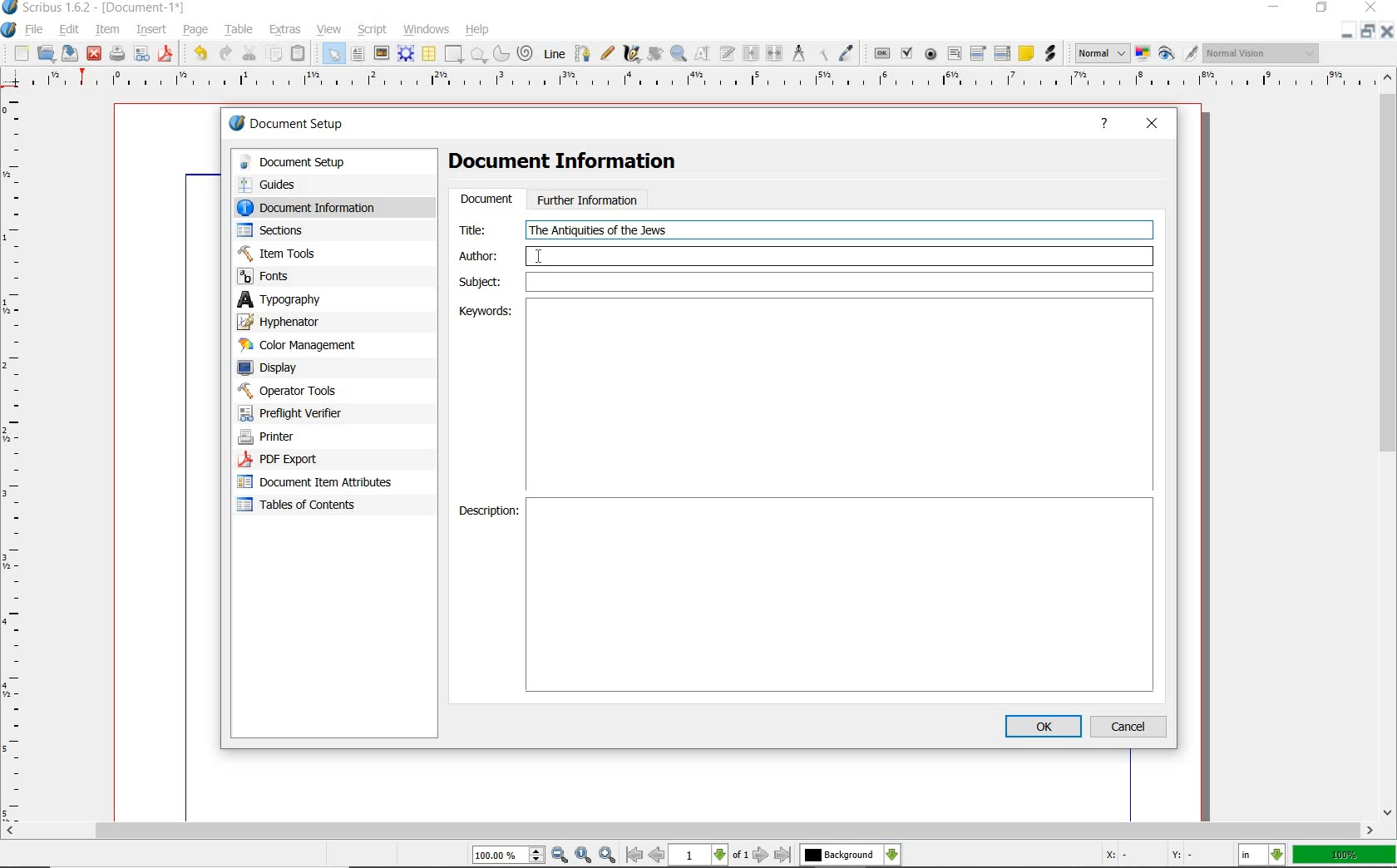 Image resolution: width=1397 pixels, height=868 pixels. What do you see at coordinates (705, 83) in the screenshot?
I see `ruler` at bounding box center [705, 83].